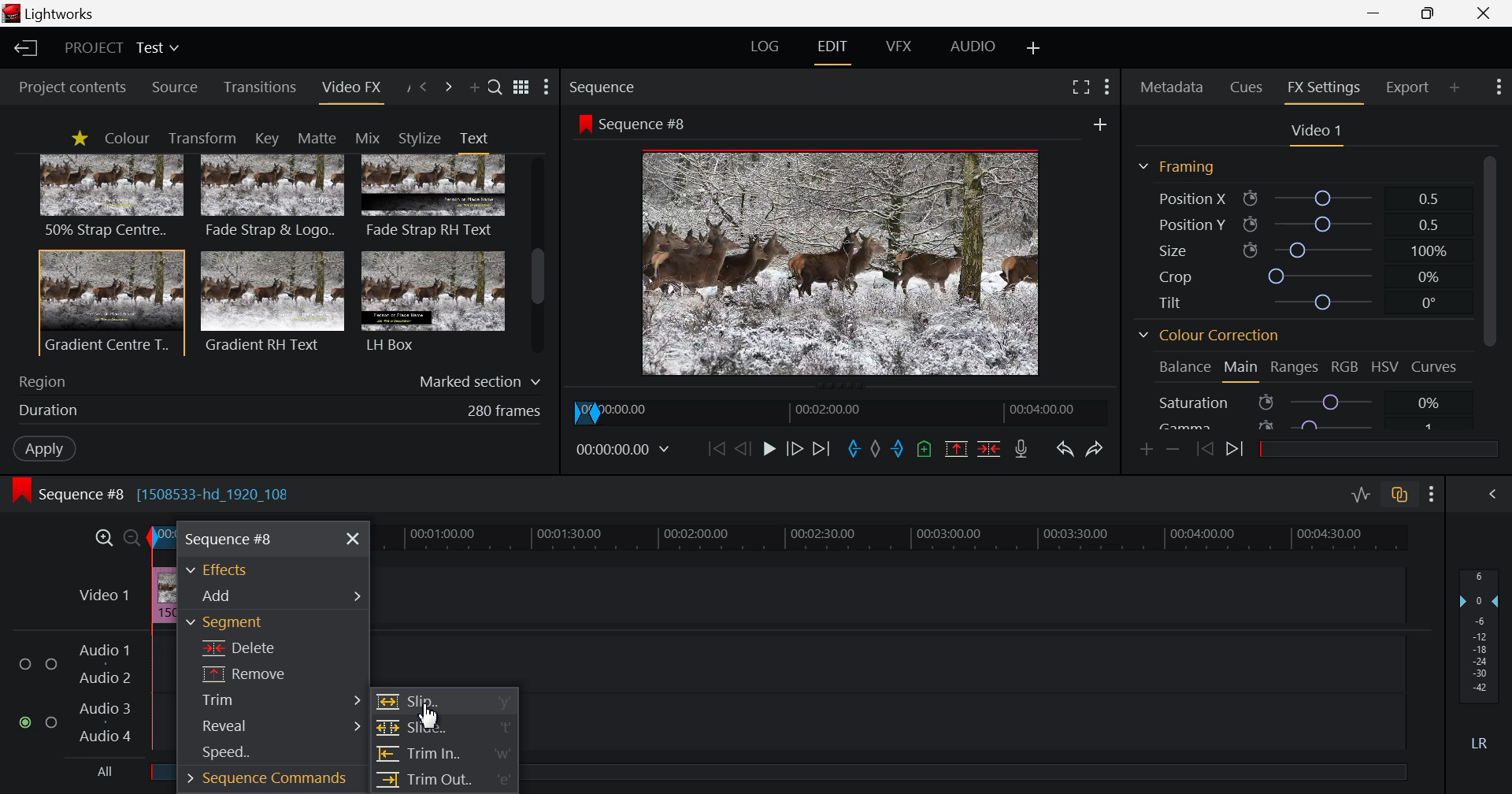 The height and width of the screenshot is (794, 1512). Describe the element at coordinates (432, 301) in the screenshot. I see `LH Box` at that location.